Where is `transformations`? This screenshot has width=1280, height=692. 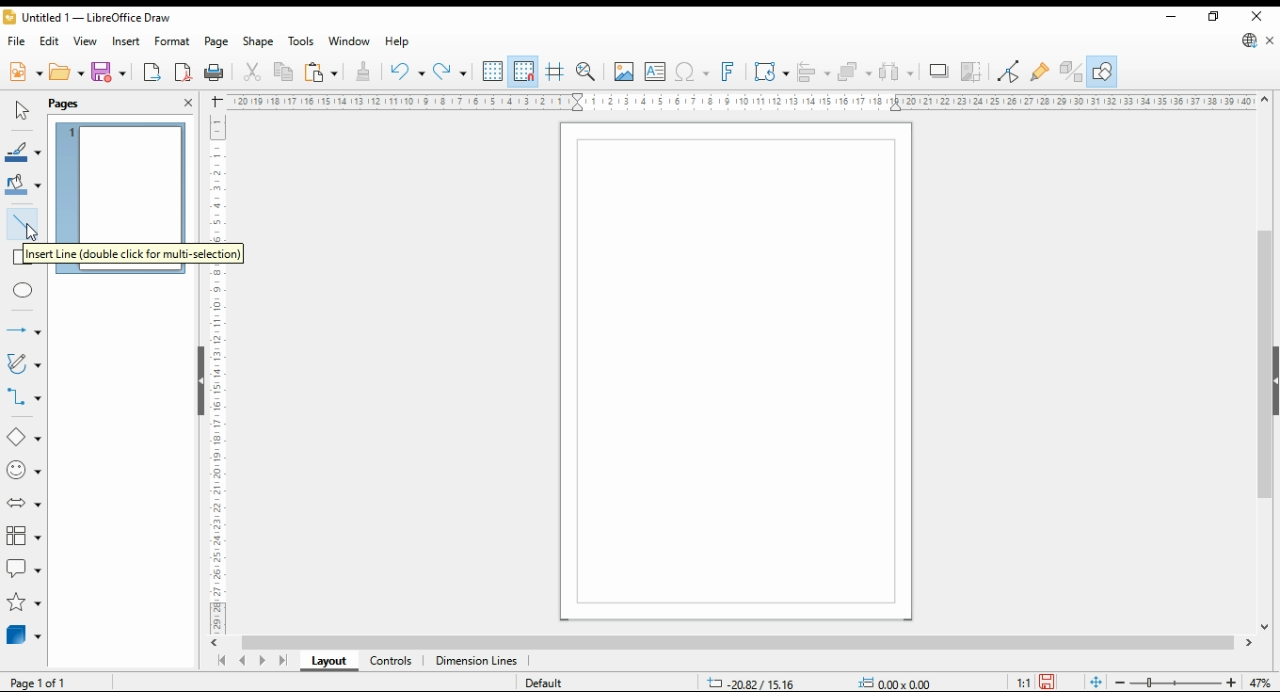 transformations is located at coordinates (771, 72).